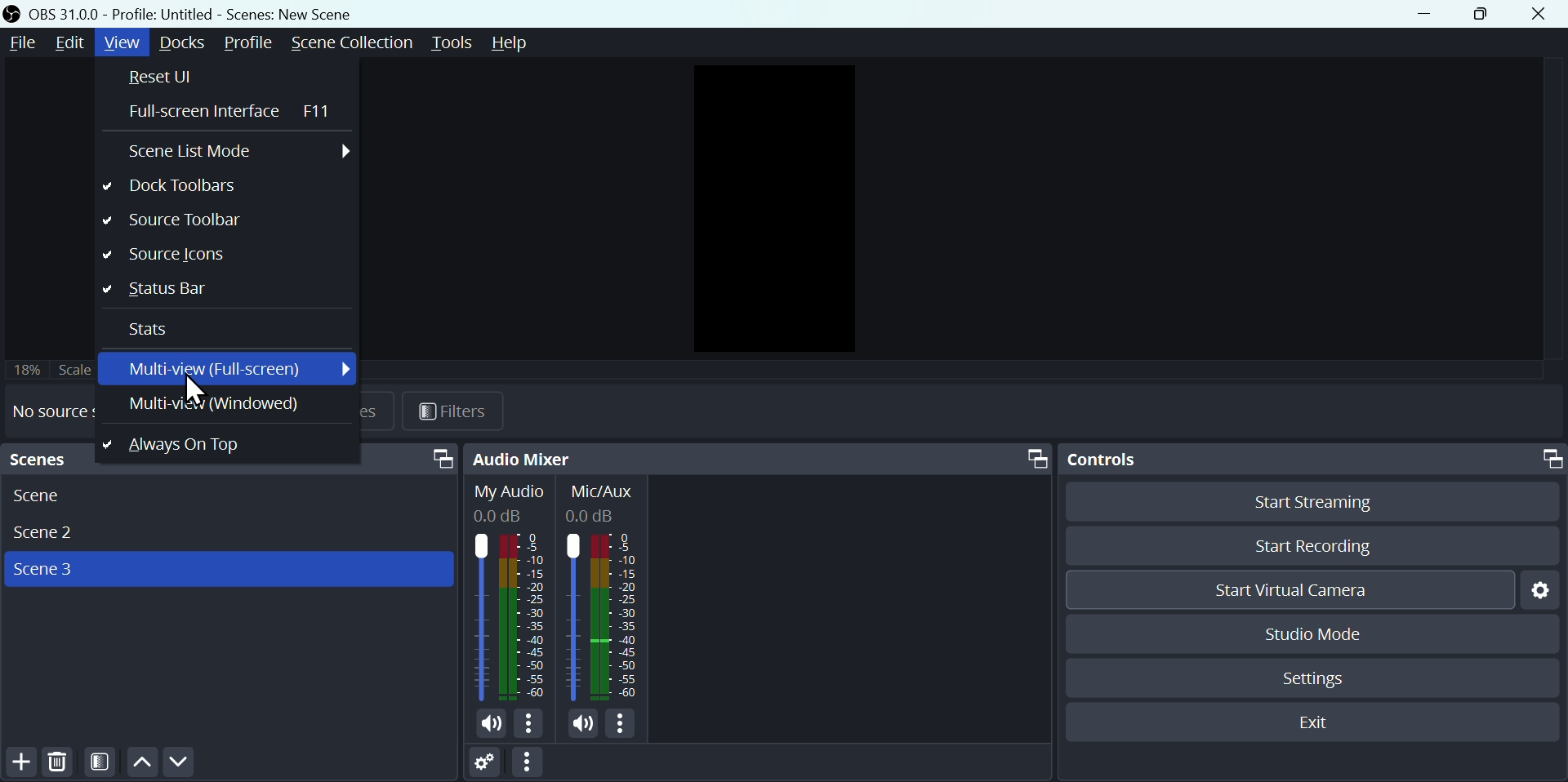 Image resolution: width=1568 pixels, height=782 pixels. Describe the element at coordinates (535, 763) in the screenshot. I see `More options` at that location.